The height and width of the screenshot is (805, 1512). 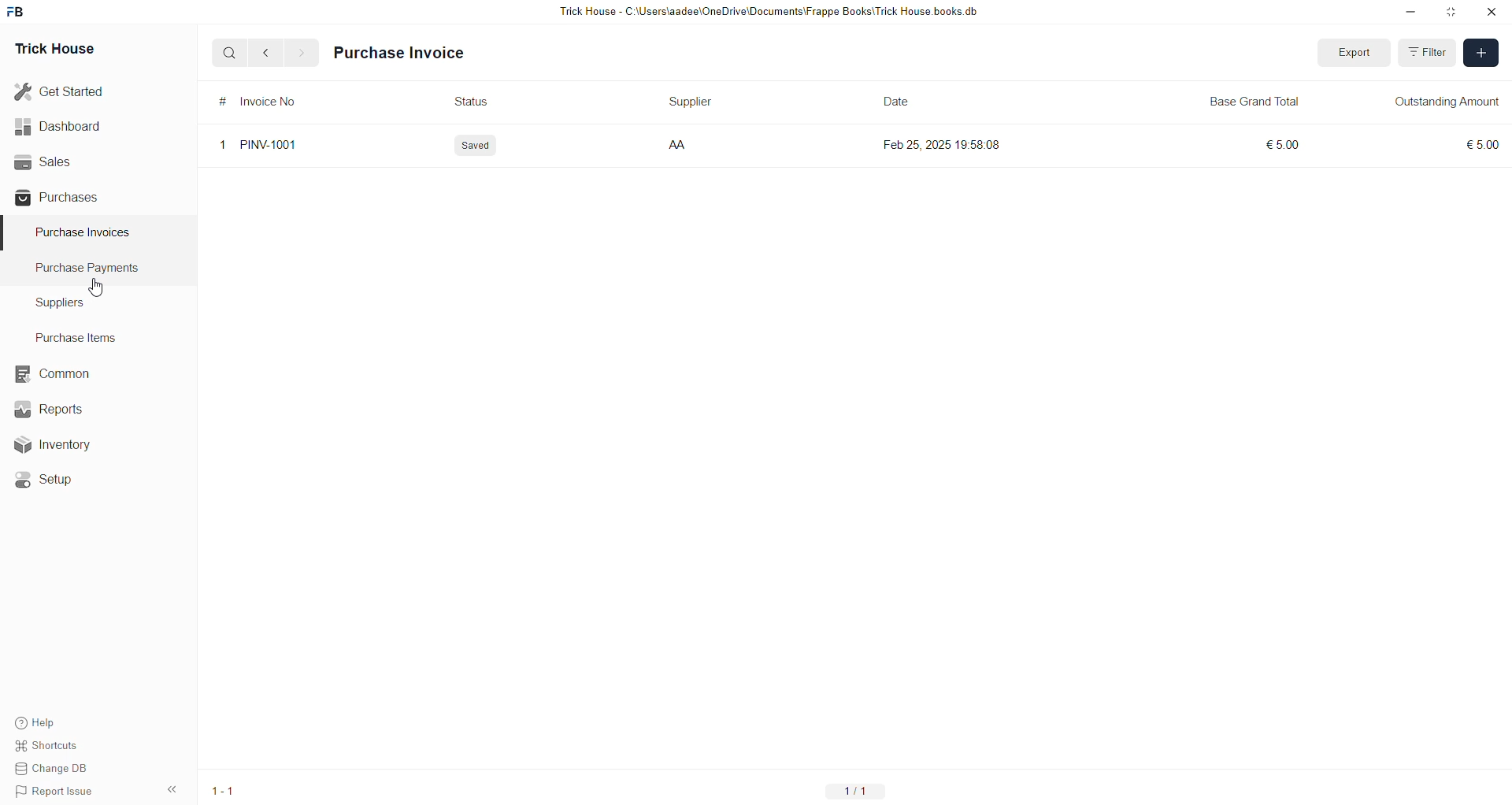 I want to click on Saved, so click(x=475, y=146).